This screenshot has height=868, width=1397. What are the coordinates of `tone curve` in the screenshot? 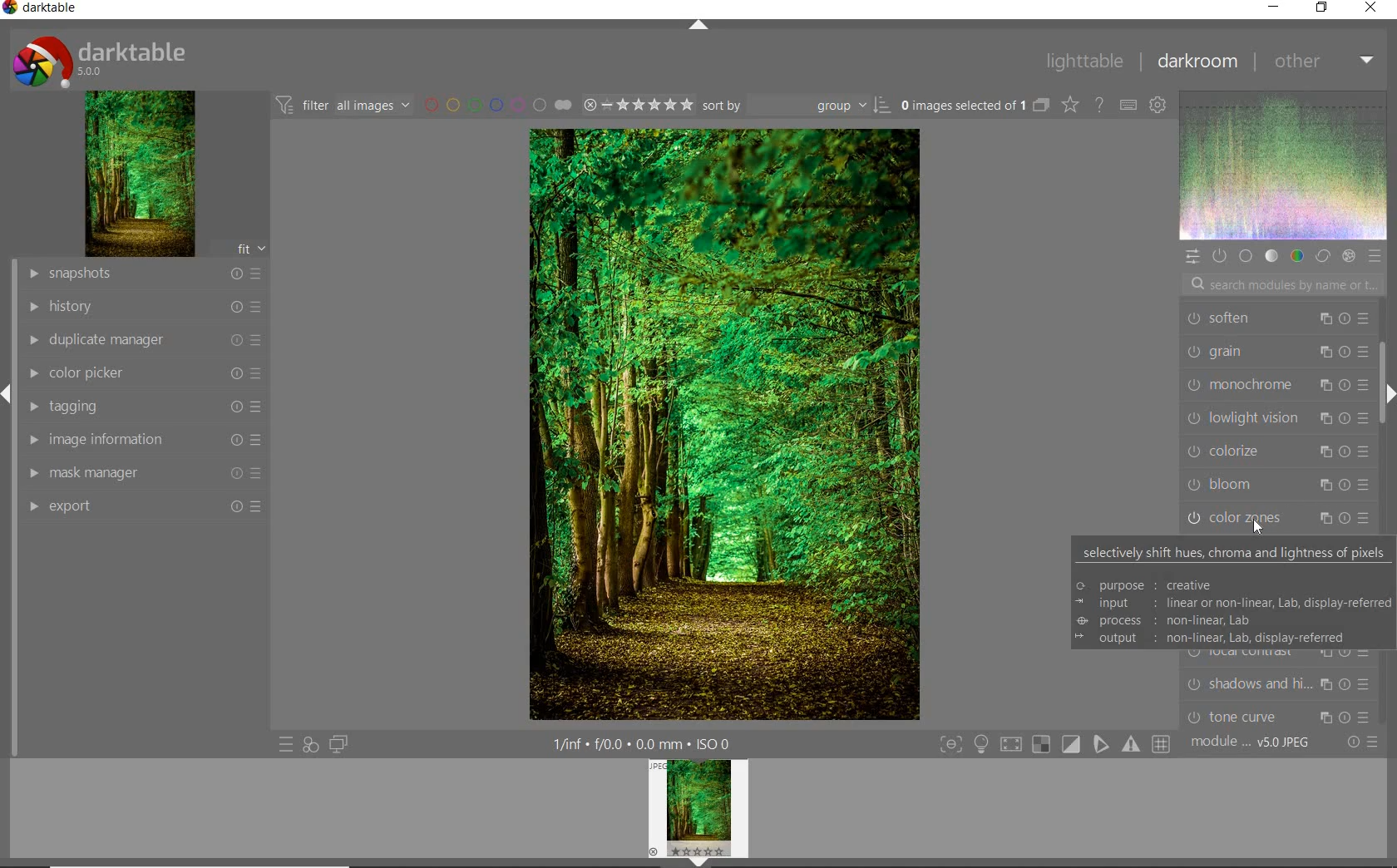 It's located at (1281, 718).